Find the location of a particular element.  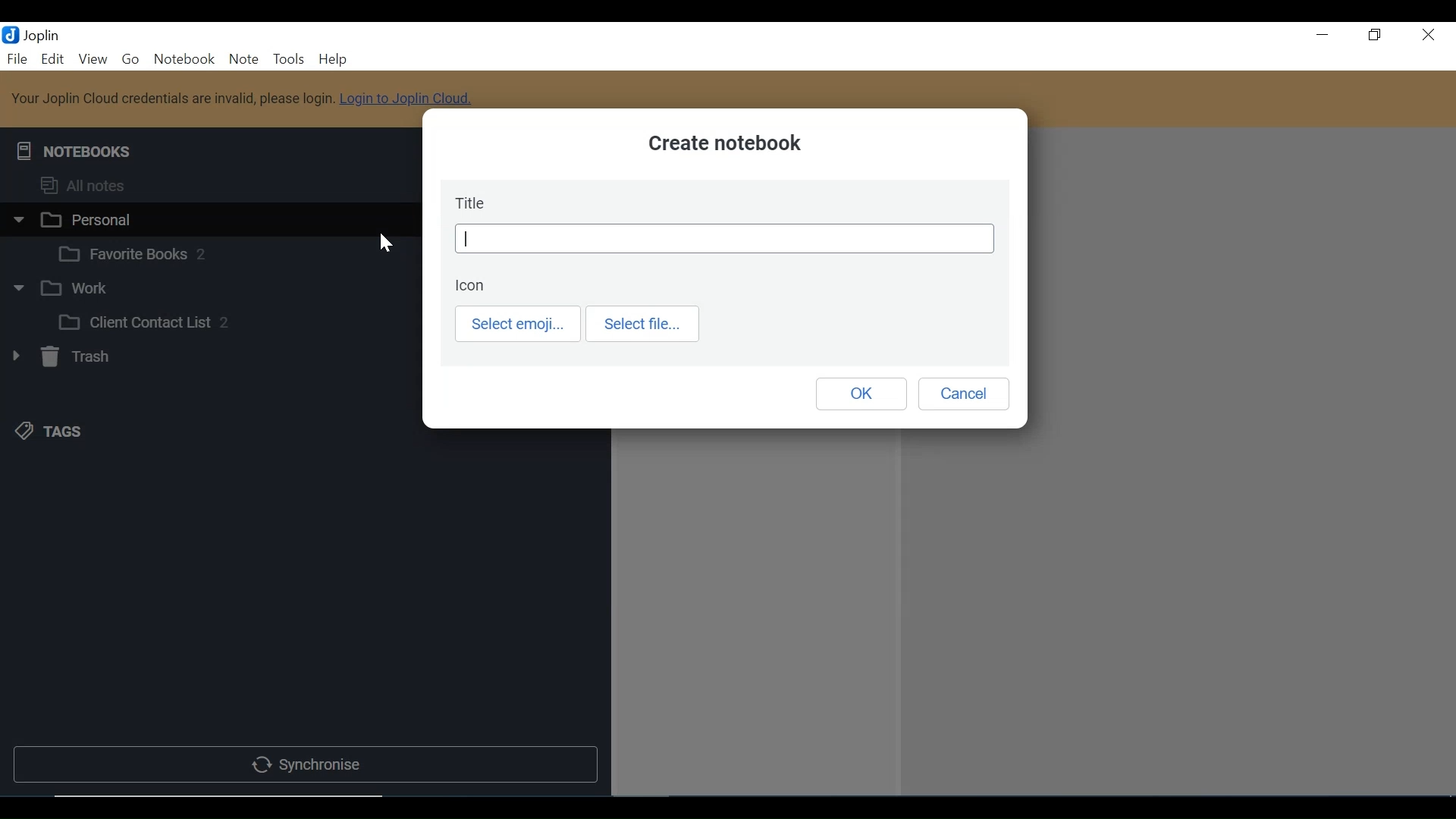

Login to Joplin Cloud is located at coordinates (243, 99).